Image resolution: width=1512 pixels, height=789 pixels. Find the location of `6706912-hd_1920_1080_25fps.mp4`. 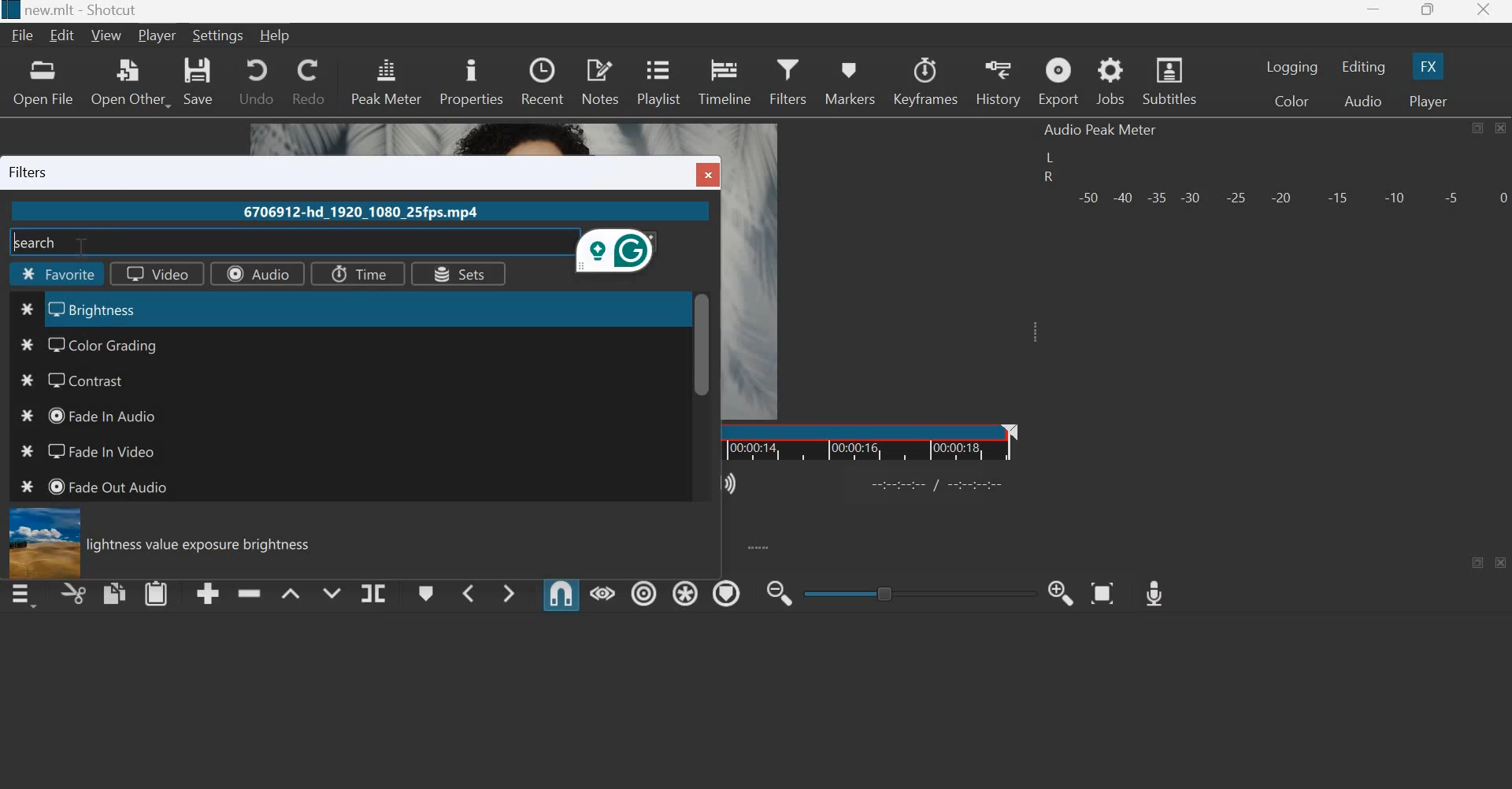

6706912-hd_1920_1080_25fps.mp4 is located at coordinates (358, 213).